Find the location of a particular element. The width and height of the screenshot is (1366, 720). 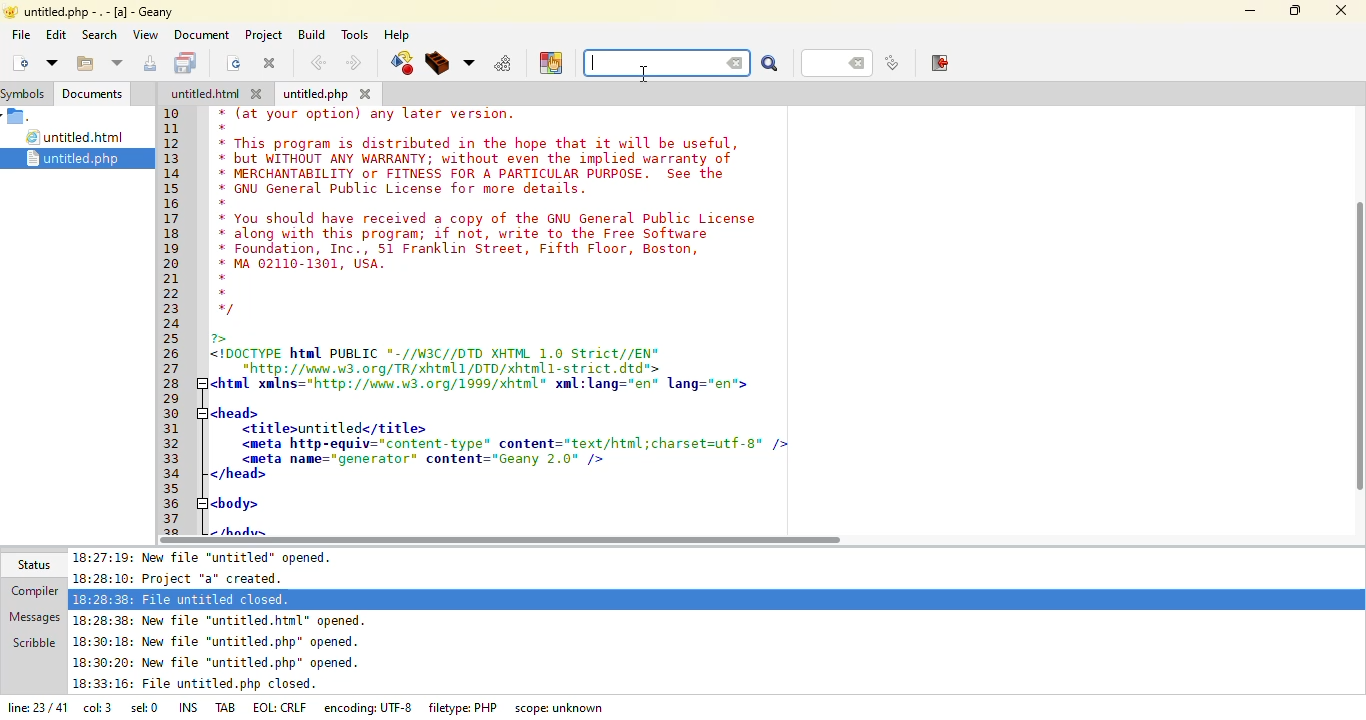

scroll bar is located at coordinates (1362, 338).